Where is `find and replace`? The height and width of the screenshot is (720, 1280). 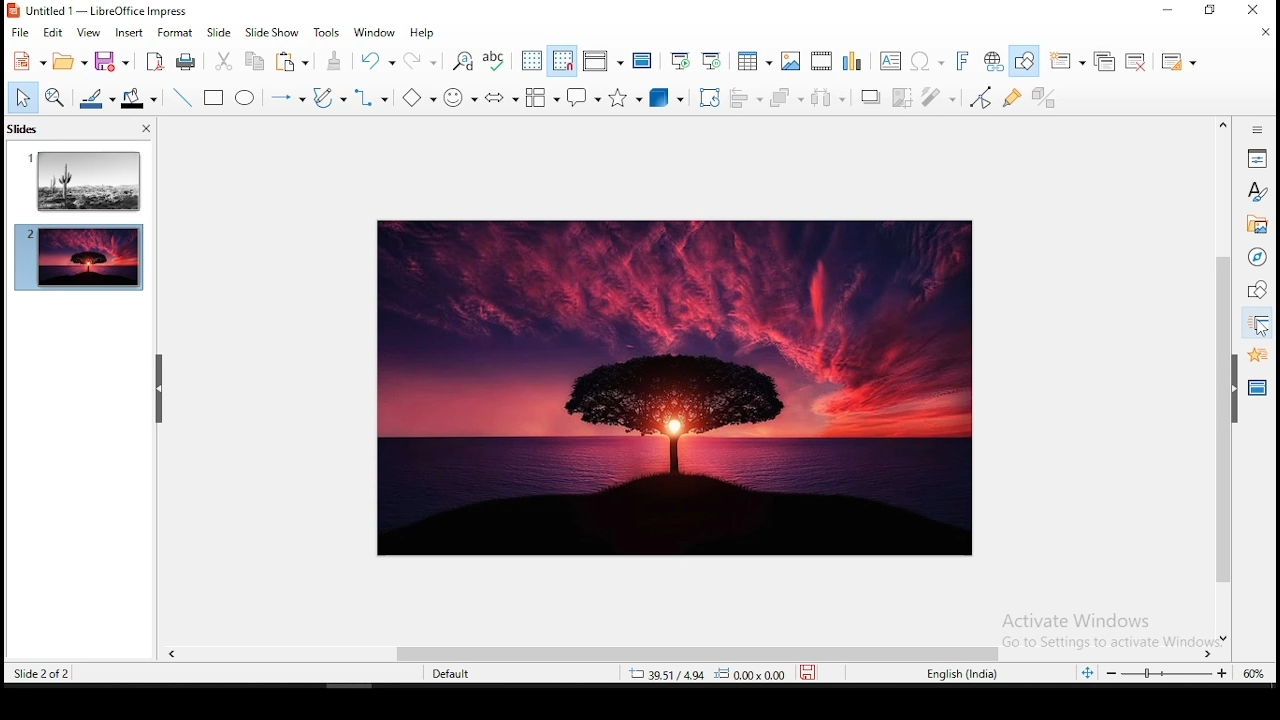
find and replace is located at coordinates (465, 63).